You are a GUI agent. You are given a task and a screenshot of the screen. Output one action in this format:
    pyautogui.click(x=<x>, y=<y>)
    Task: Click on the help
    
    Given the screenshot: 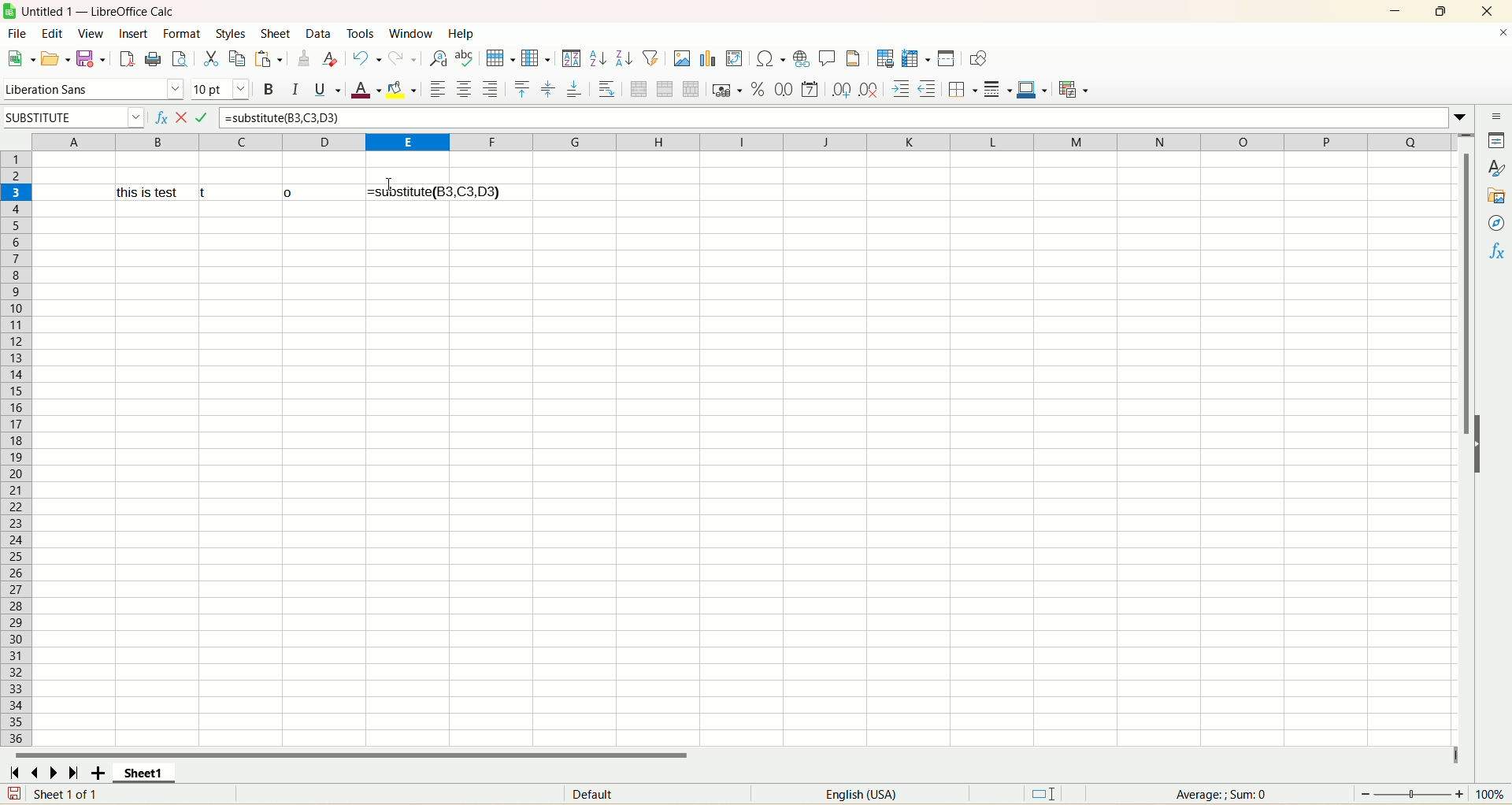 What is the action you would take?
    pyautogui.click(x=461, y=35)
    